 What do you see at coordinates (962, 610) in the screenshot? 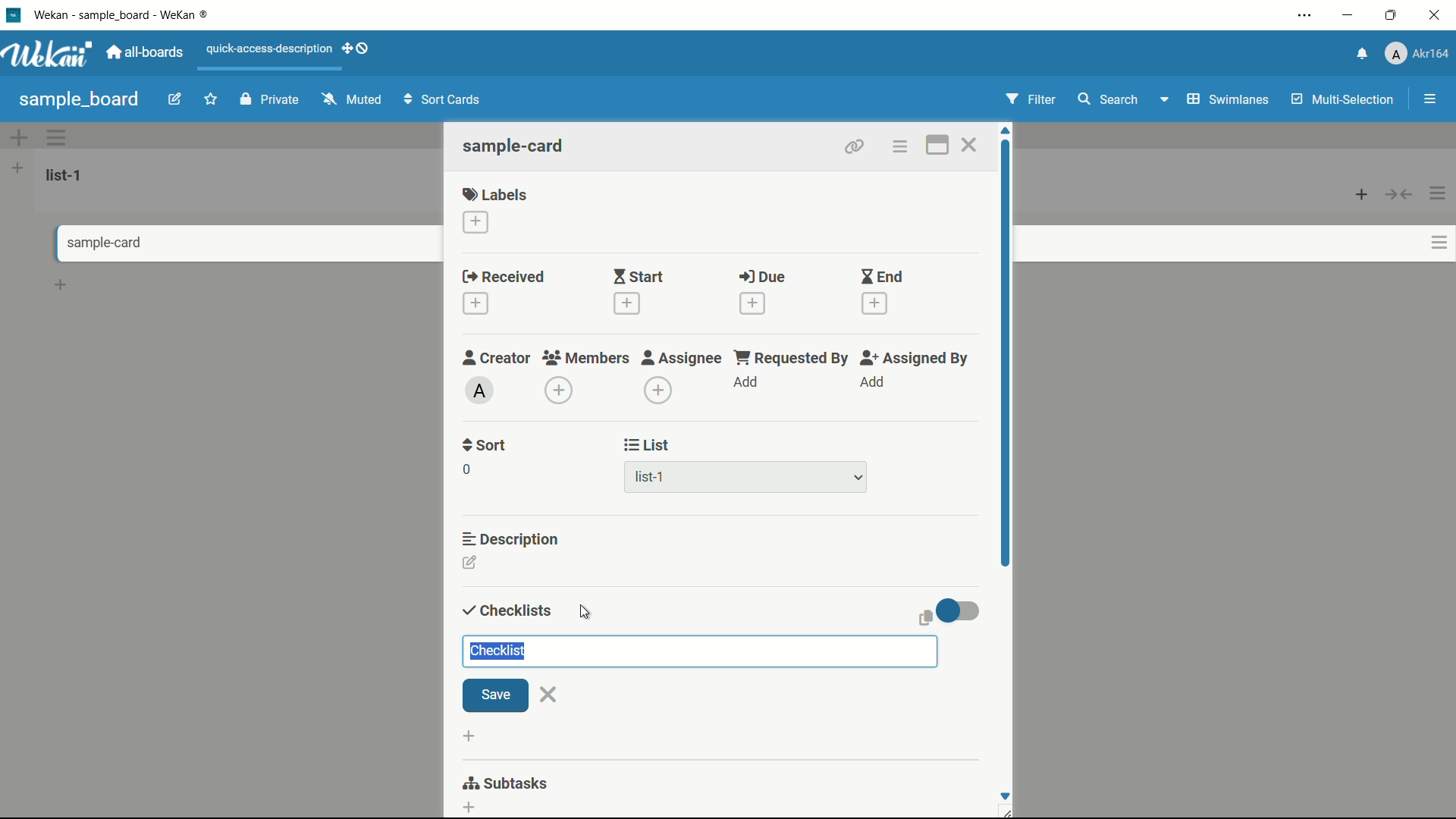
I see `toggle button` at bounding box center [962, 610].